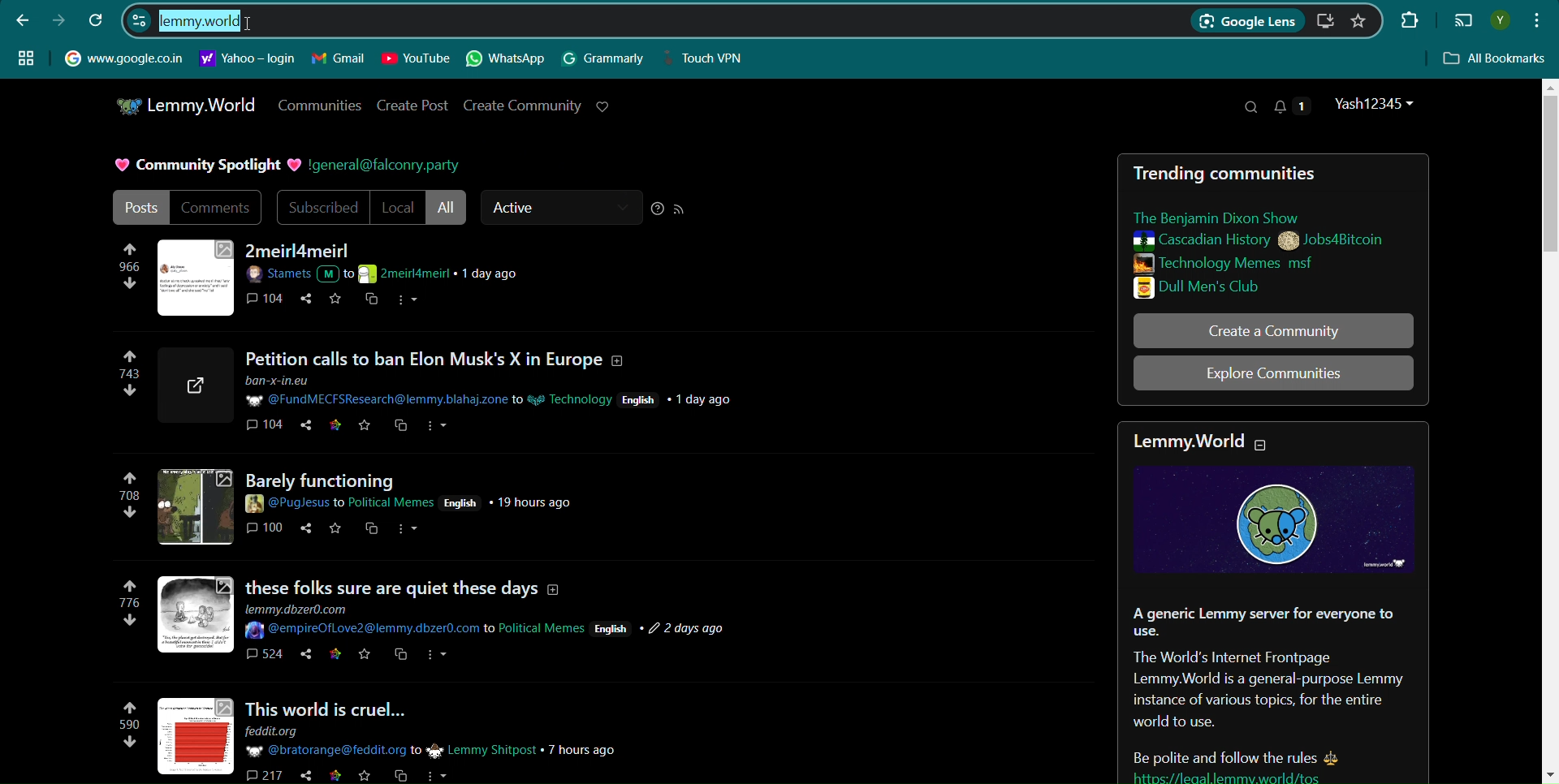 The image size is (1559, 784). Describe the element at coordinates (204, 166) in the screenshot. I see `Text` at that location.